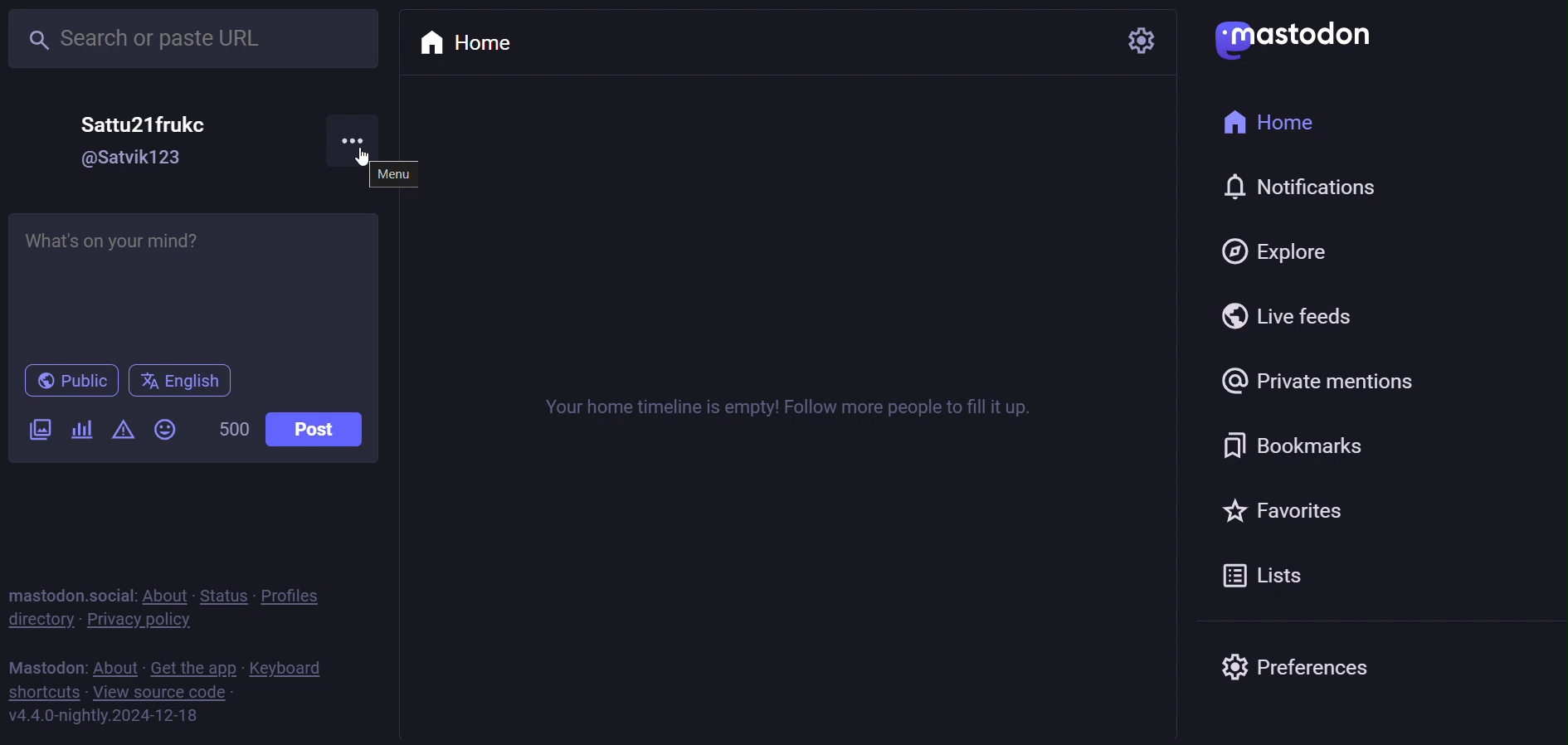 Image resolution: width=1568 pixels, height=745 pixels. Describe the element at coordinates (780, 404) in the screenshot. I see `Your home timeline is empty! Follow more people to fill it up.` at that location.